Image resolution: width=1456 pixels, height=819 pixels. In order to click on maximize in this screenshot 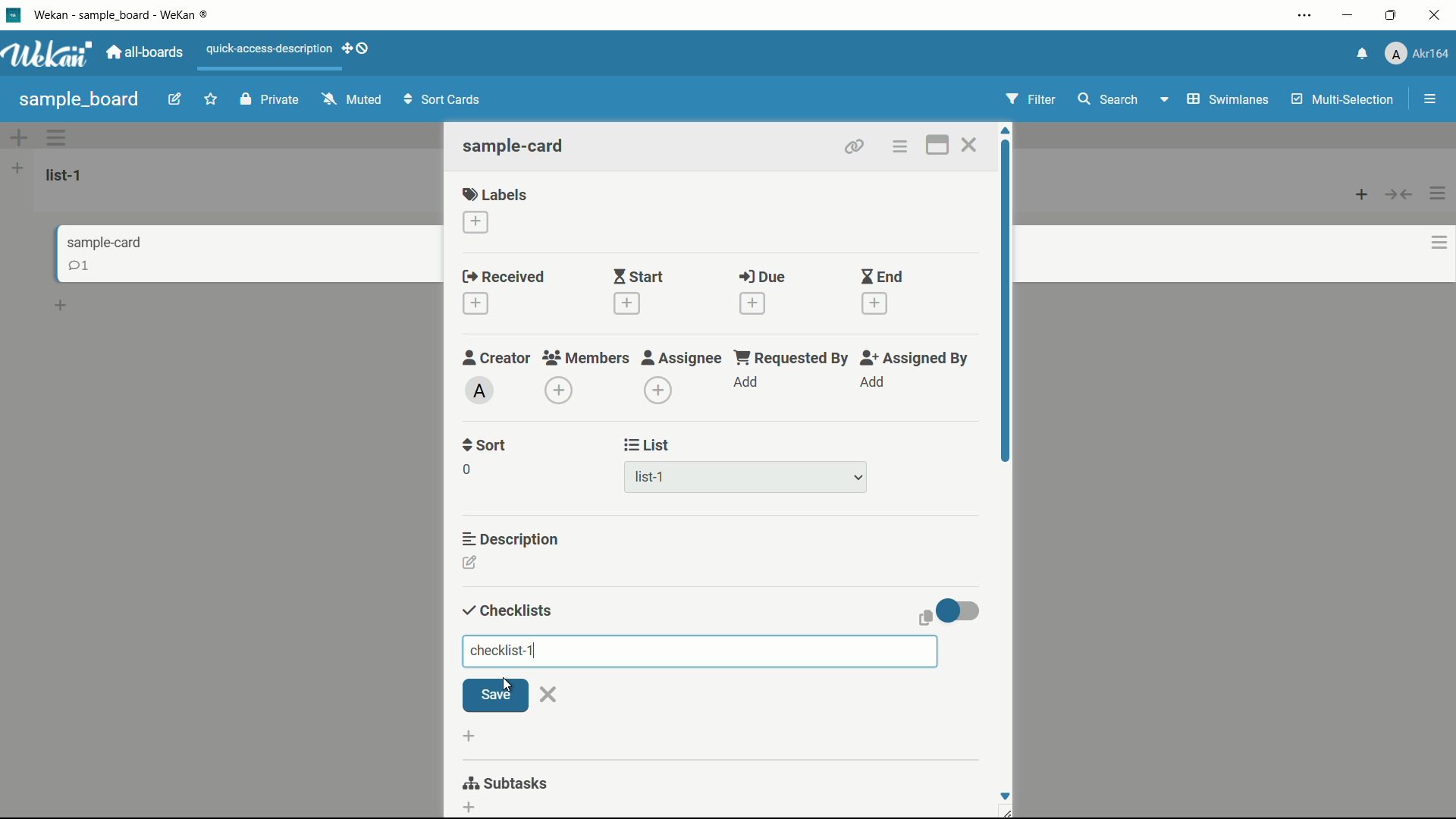, I will do `click(1393, 16)`.